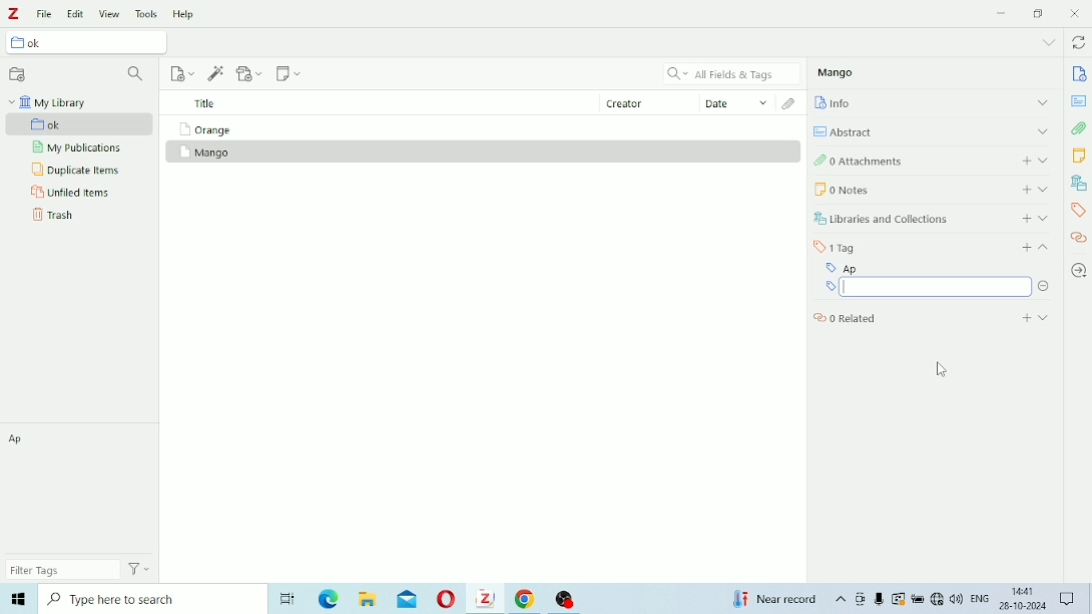 The width and height of the screenshot is (1092, 614). What do you see at coordinates (937, 600) in the screenshot?
I see `Internet` at bounding box center [937, 600].